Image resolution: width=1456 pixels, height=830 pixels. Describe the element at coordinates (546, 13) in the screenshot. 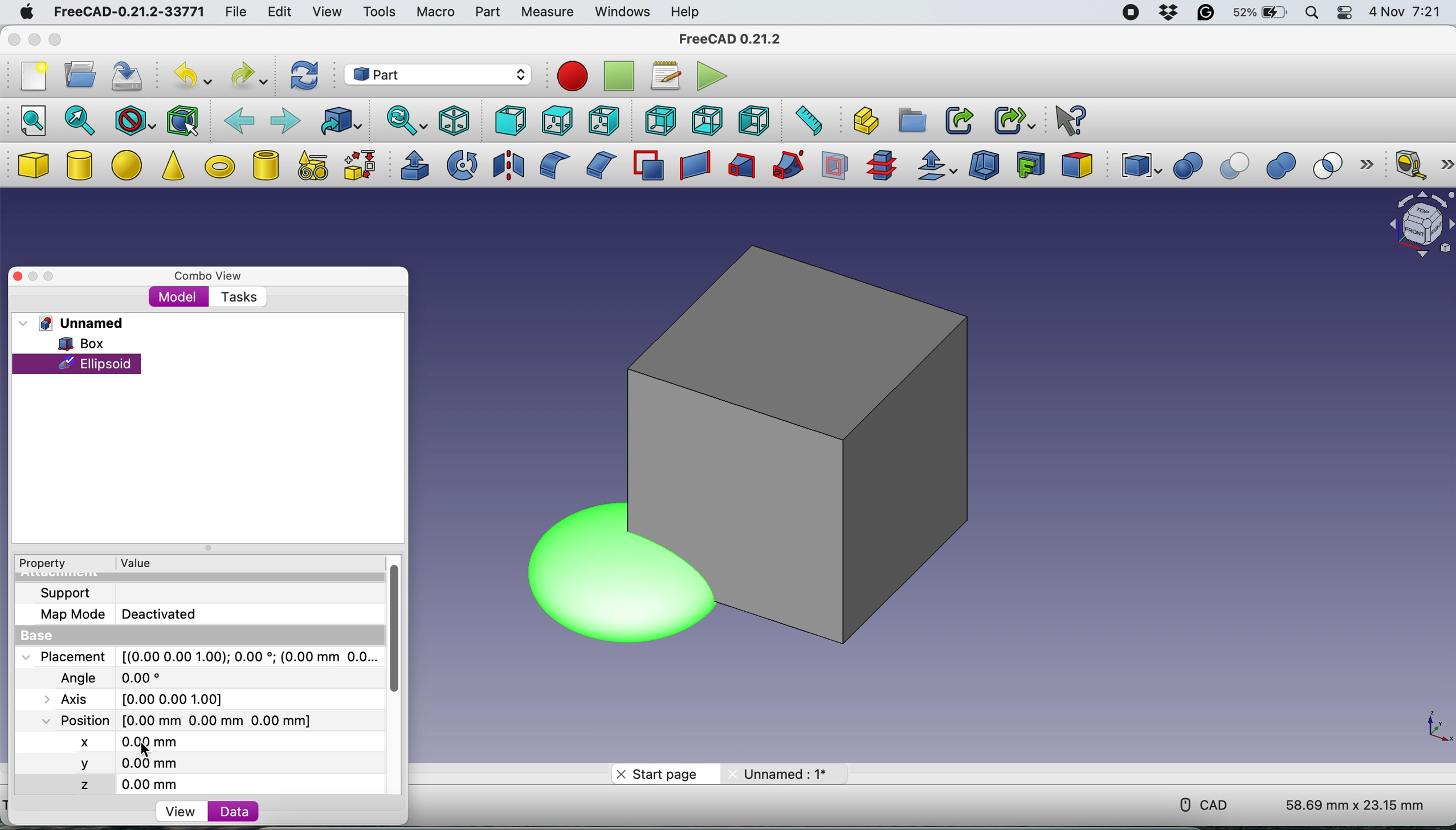

I see `measure` at that location.